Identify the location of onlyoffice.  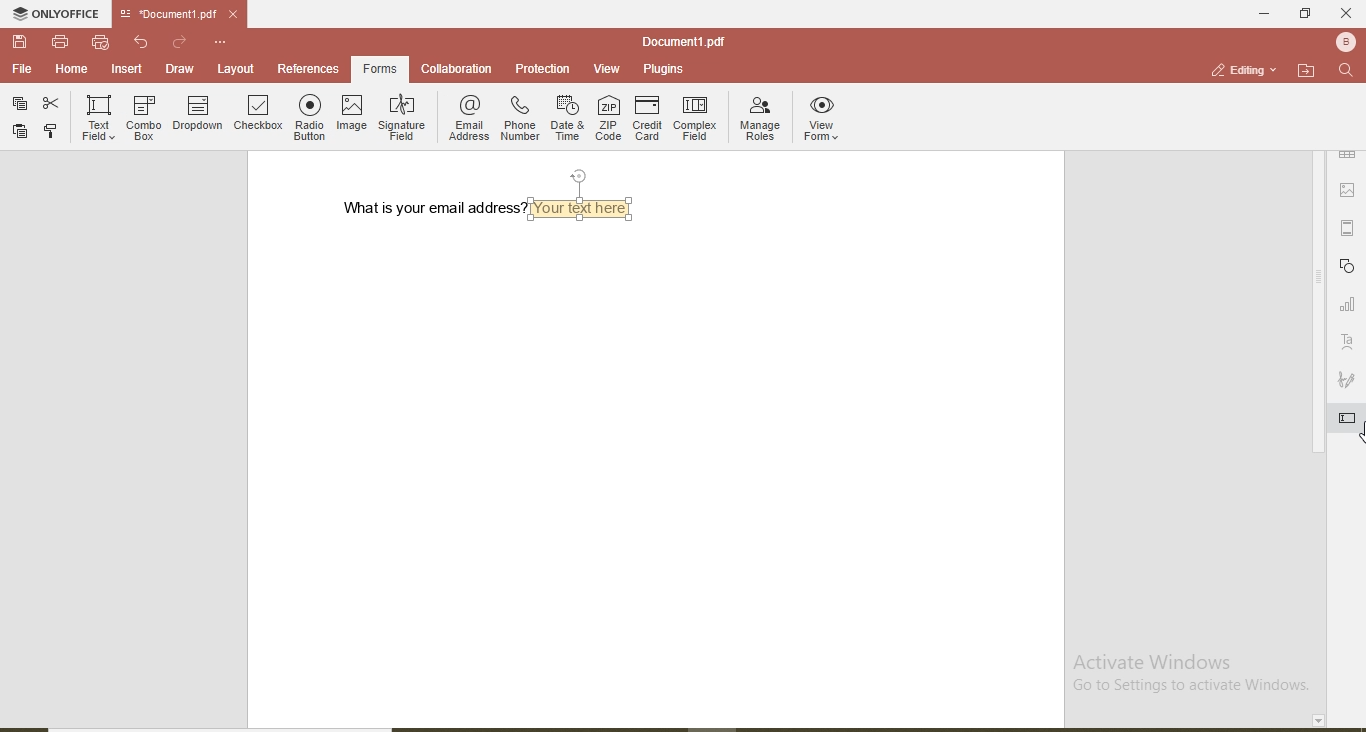
(59, 16).